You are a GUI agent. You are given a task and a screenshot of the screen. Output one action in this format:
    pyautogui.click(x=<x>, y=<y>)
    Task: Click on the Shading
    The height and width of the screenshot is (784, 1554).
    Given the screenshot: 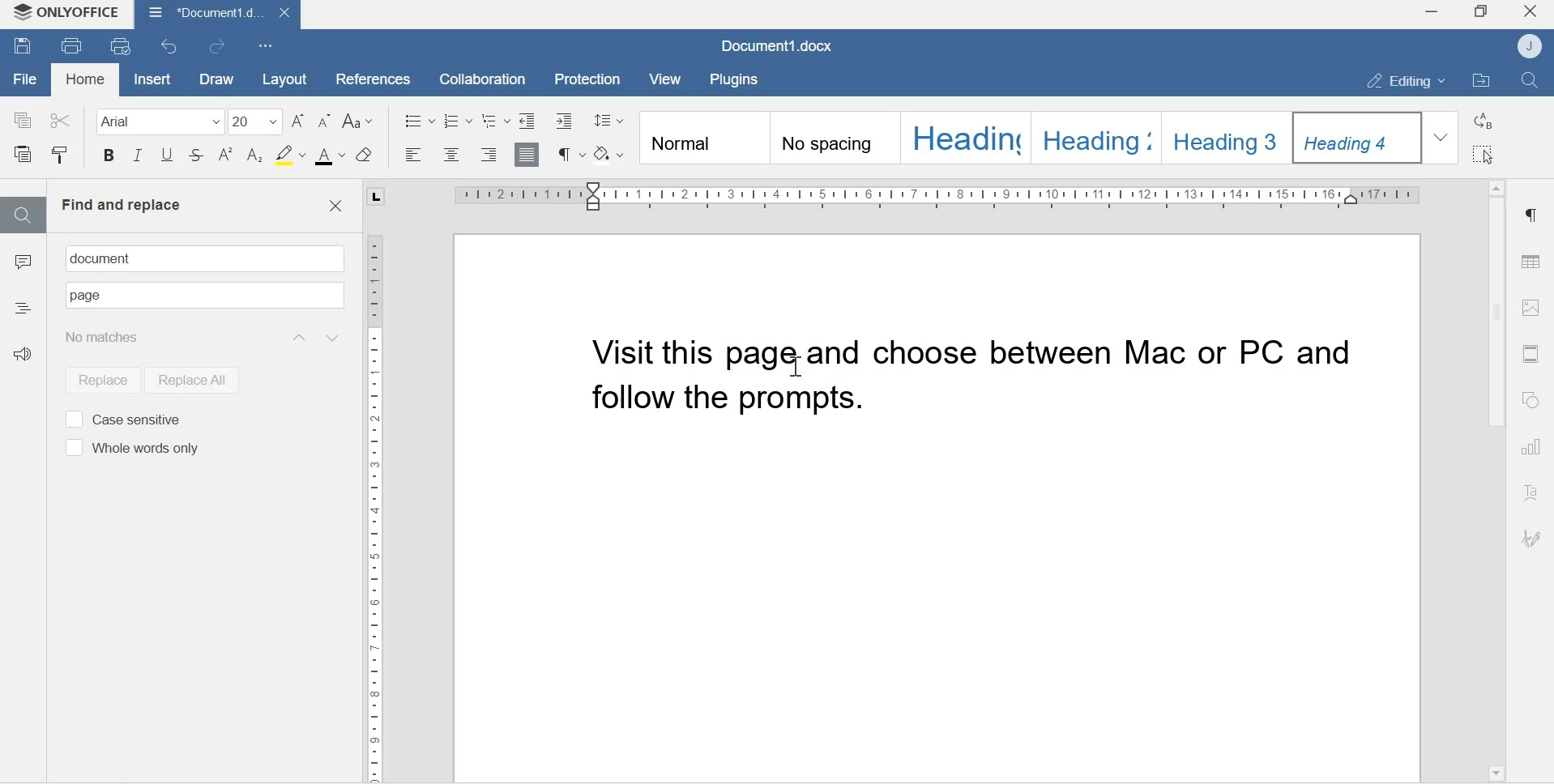 What is the action you would take?
    pyautogui.click(x=612, y=152)
    